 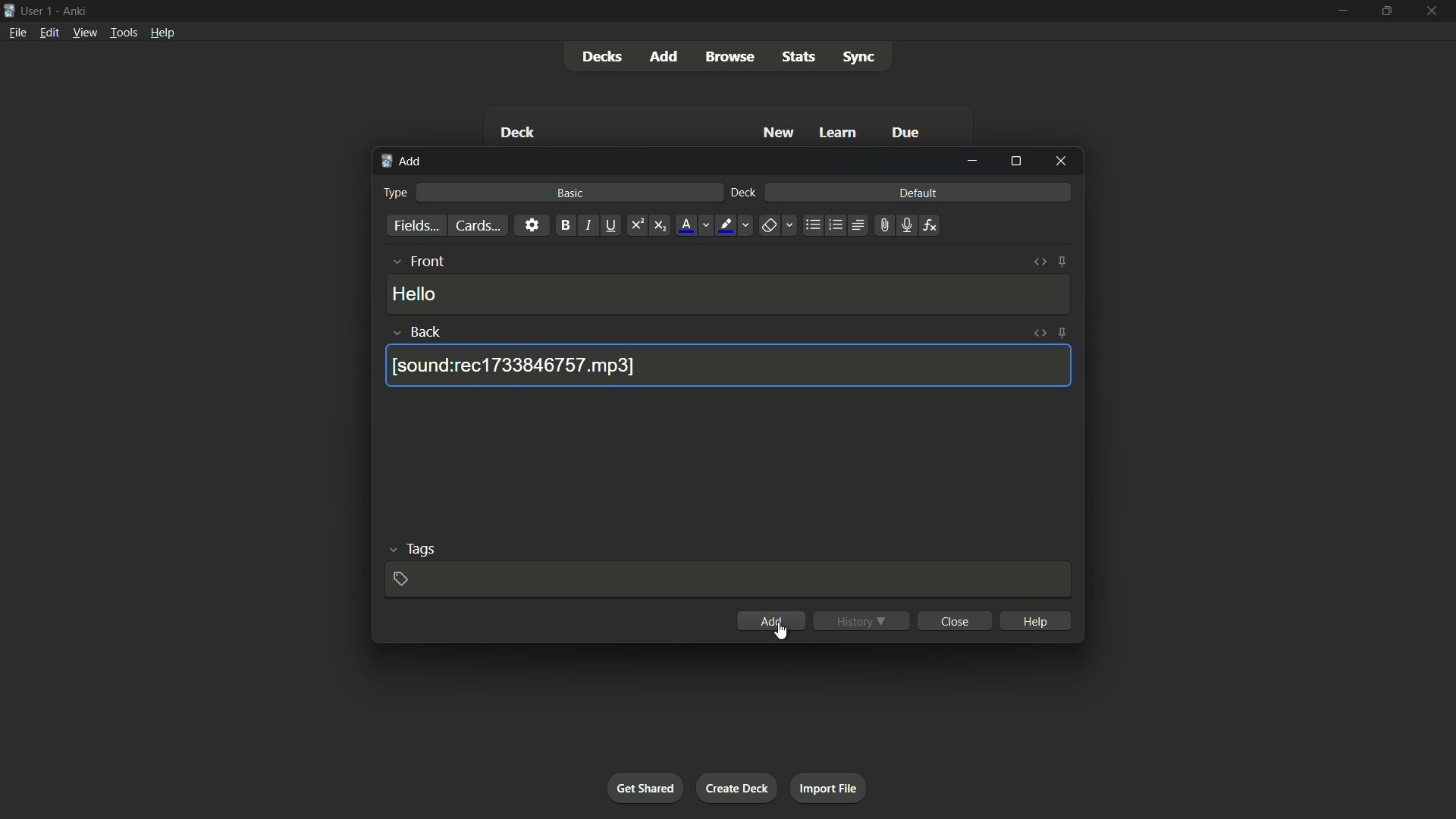 What do you see at coordinates (695, 226) in the screenshot?
I see `font color` at bounding box center [695, 226].